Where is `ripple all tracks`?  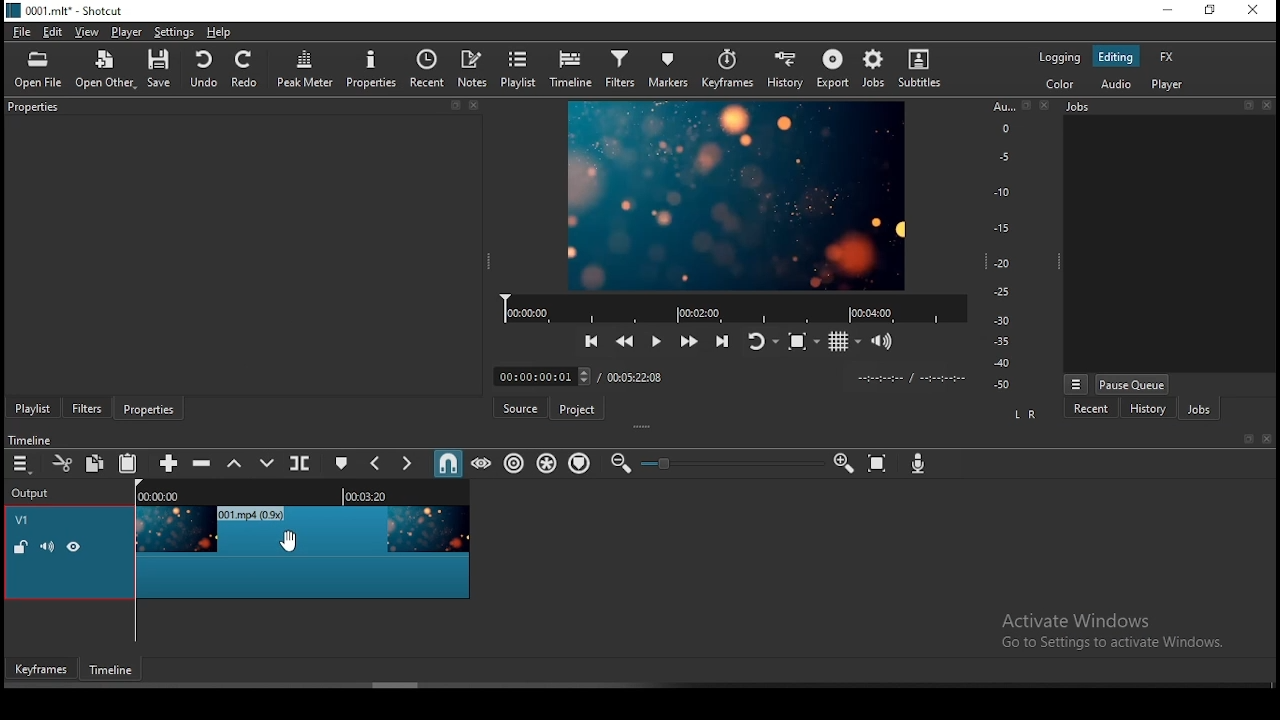 ripple all tracks is located at coordinates (547, 462).